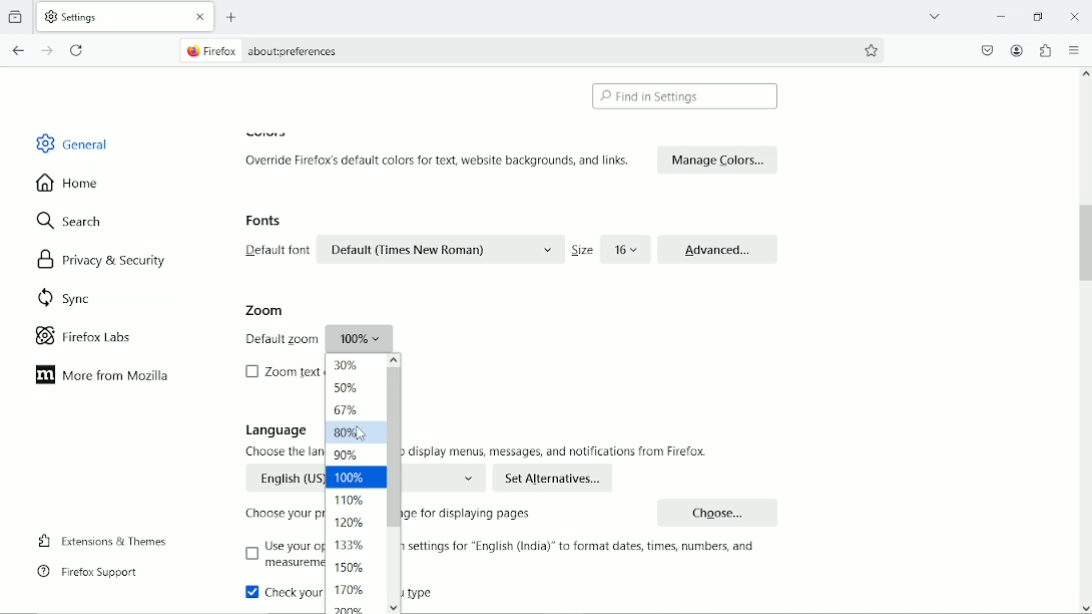 This screenshot has height=614, width=1092. What do you see at coordinates (394, 447) in the screenshot?
I see `Vertical scrollbar` at bounding box center [394, 447].